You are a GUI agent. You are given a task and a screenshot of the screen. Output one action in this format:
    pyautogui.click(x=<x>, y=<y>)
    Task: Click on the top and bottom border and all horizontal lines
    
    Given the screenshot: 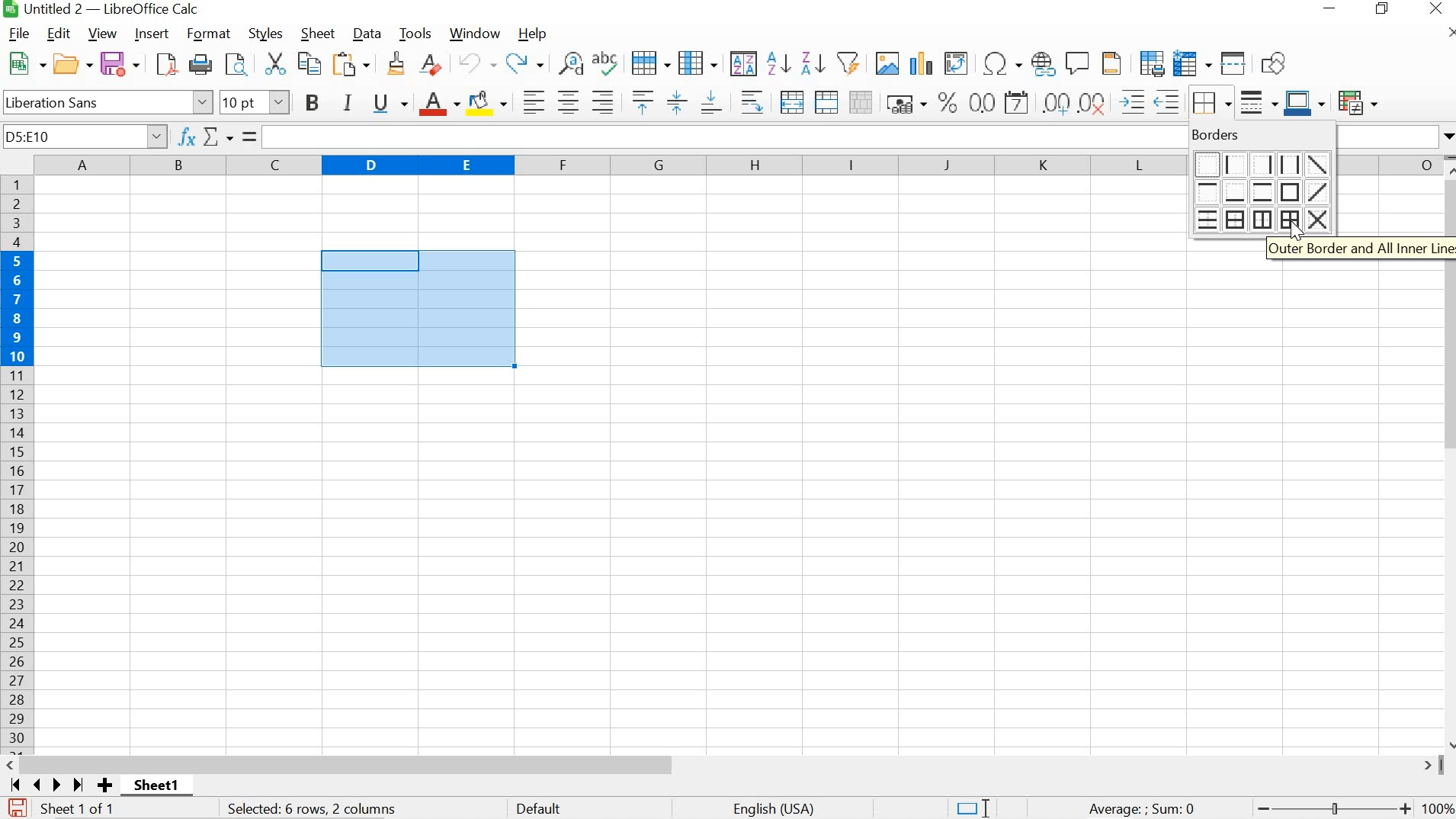 What is the action you would take?
    pyautogui.click(x=1205, y=220)
    